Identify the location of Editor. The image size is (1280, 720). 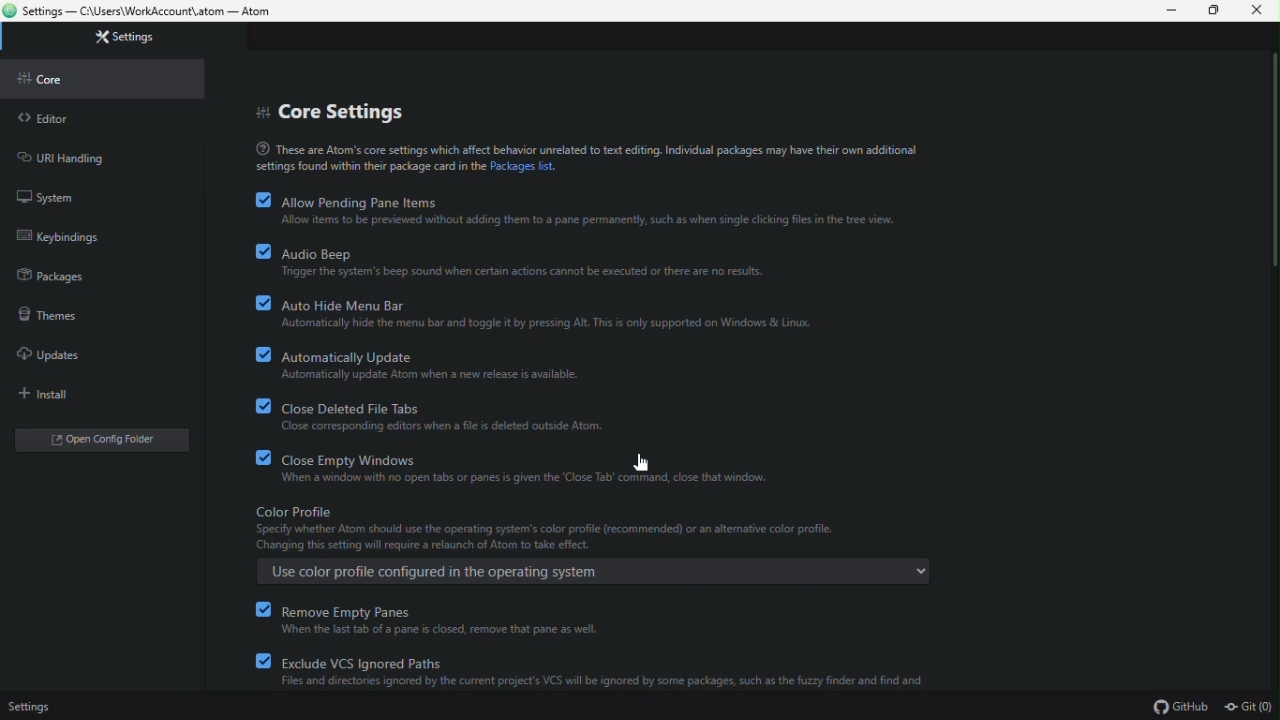
(101, 118).